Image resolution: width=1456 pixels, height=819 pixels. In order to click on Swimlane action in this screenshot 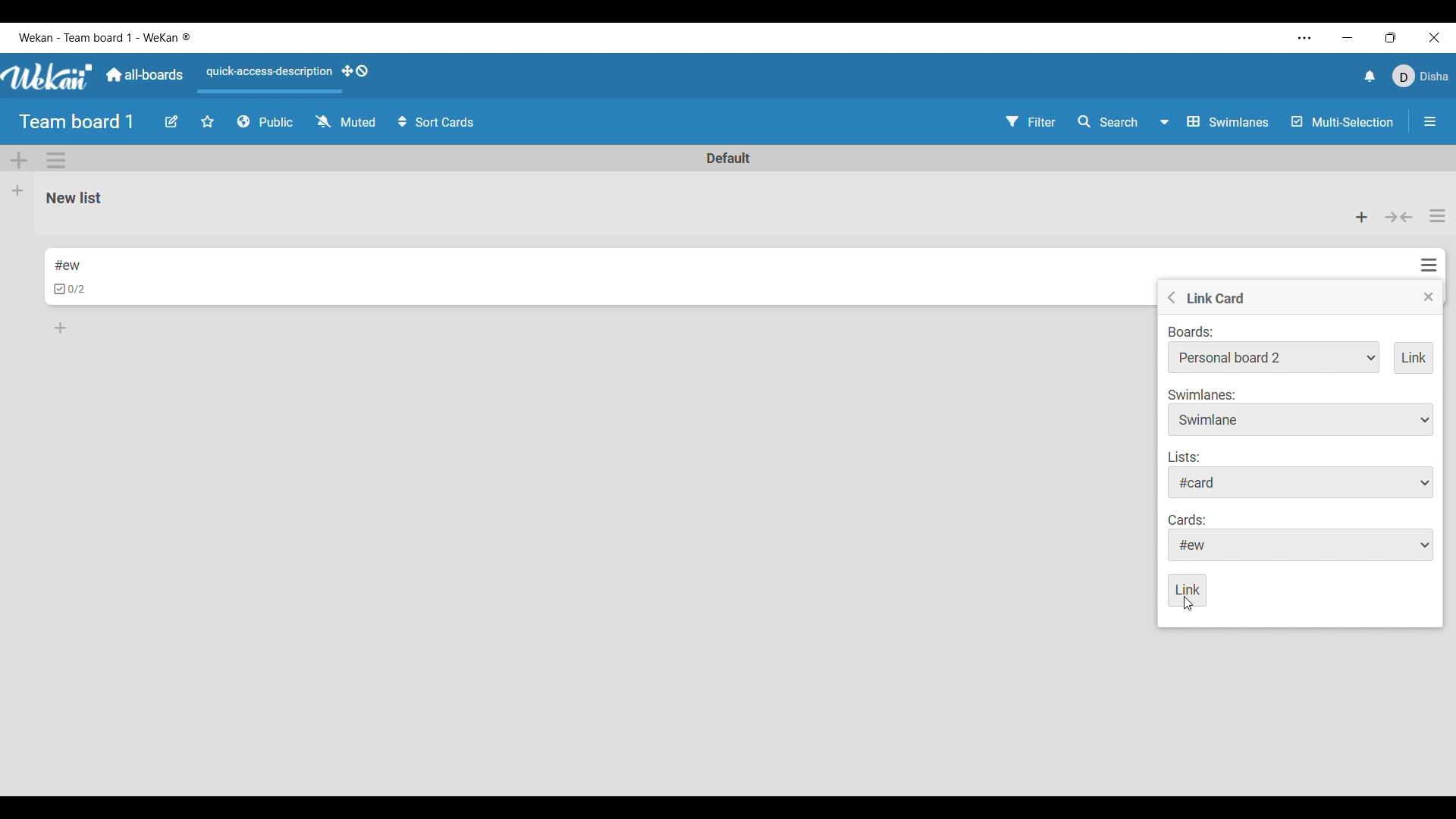, I will do `click(55, 160)`.